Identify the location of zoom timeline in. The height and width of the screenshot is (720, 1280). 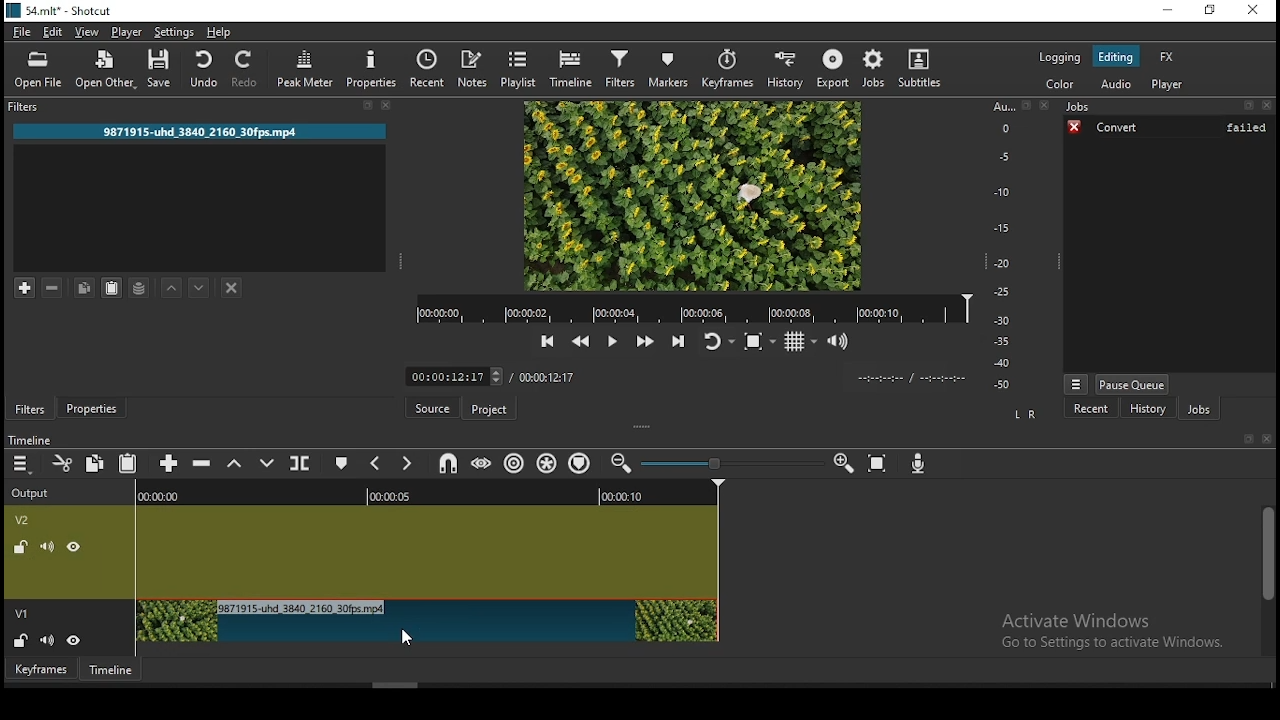
(620, 466).